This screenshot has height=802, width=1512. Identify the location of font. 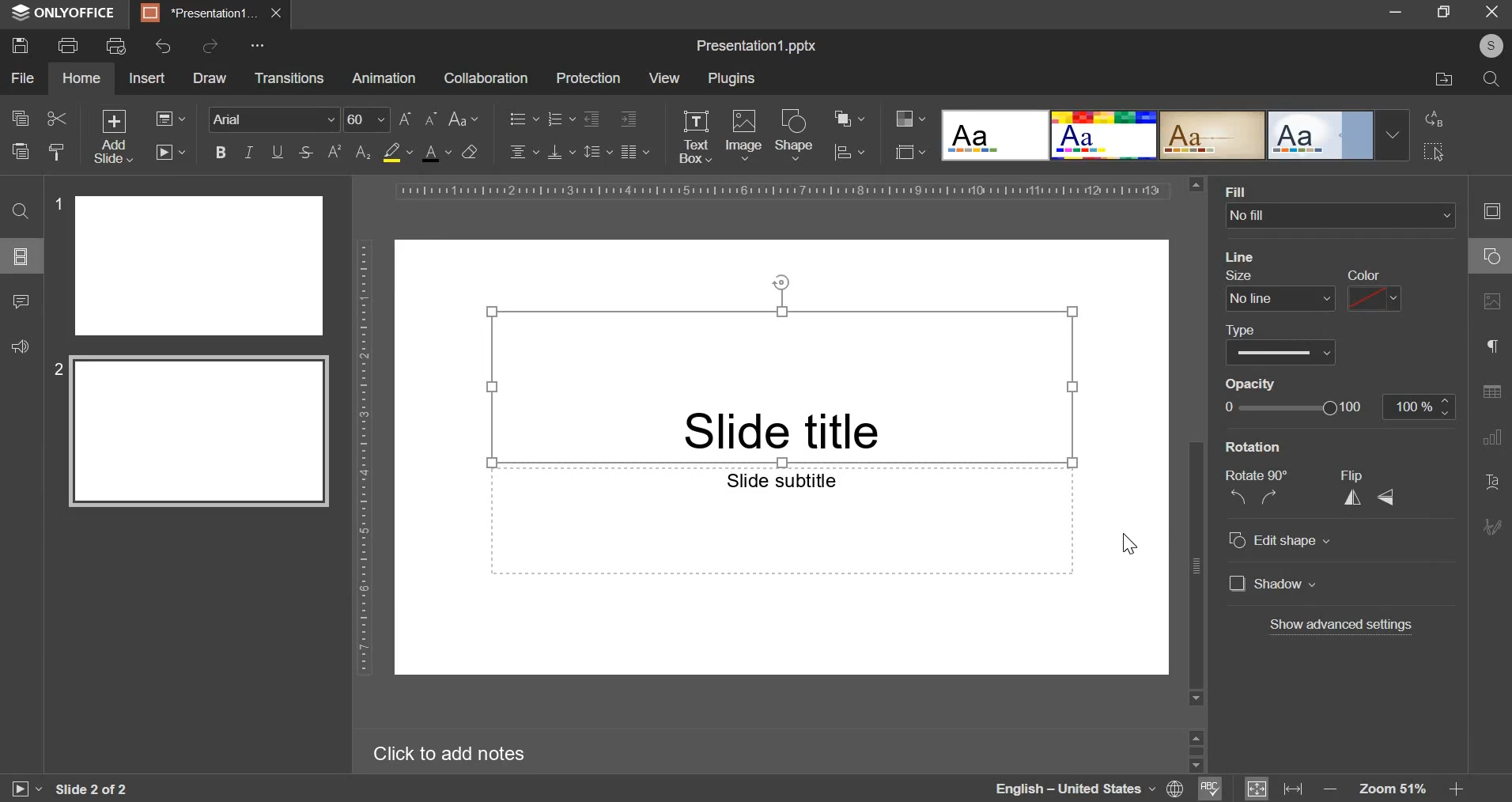
(275, 118).